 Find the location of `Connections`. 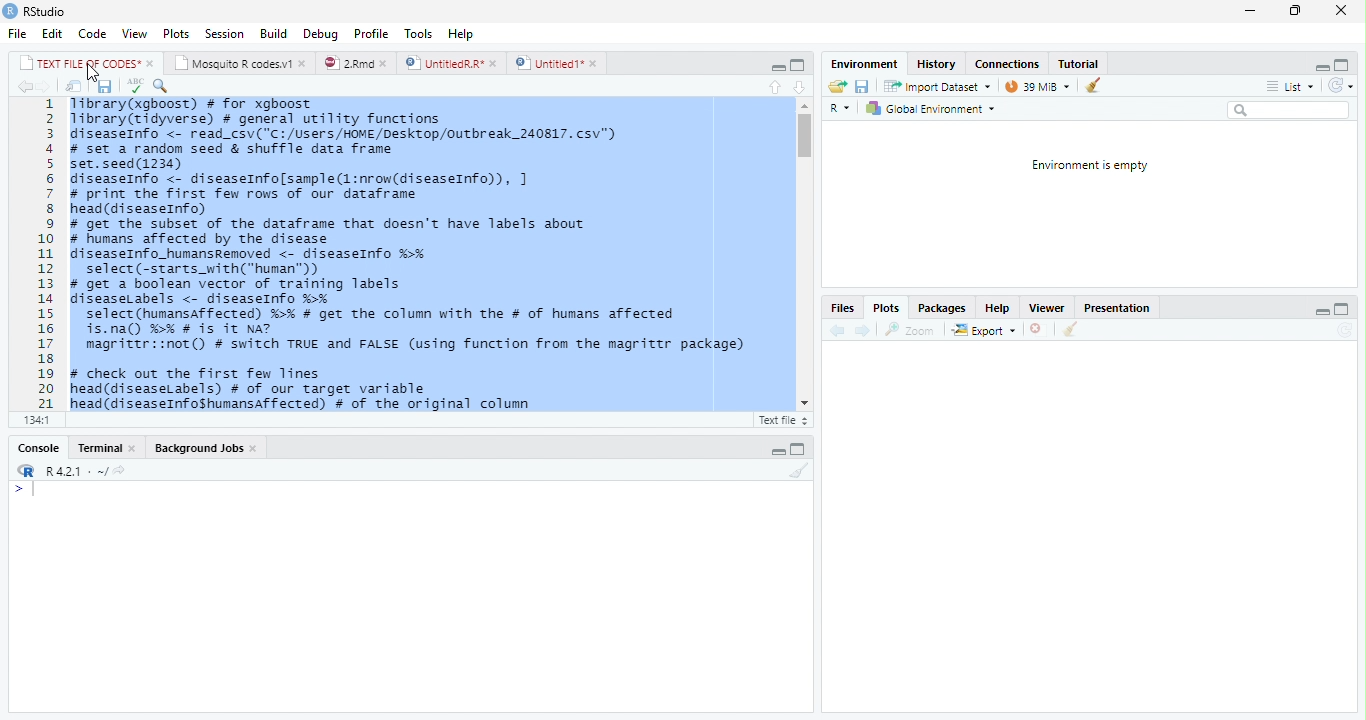

Connections is located at coordinates (1007, 64).